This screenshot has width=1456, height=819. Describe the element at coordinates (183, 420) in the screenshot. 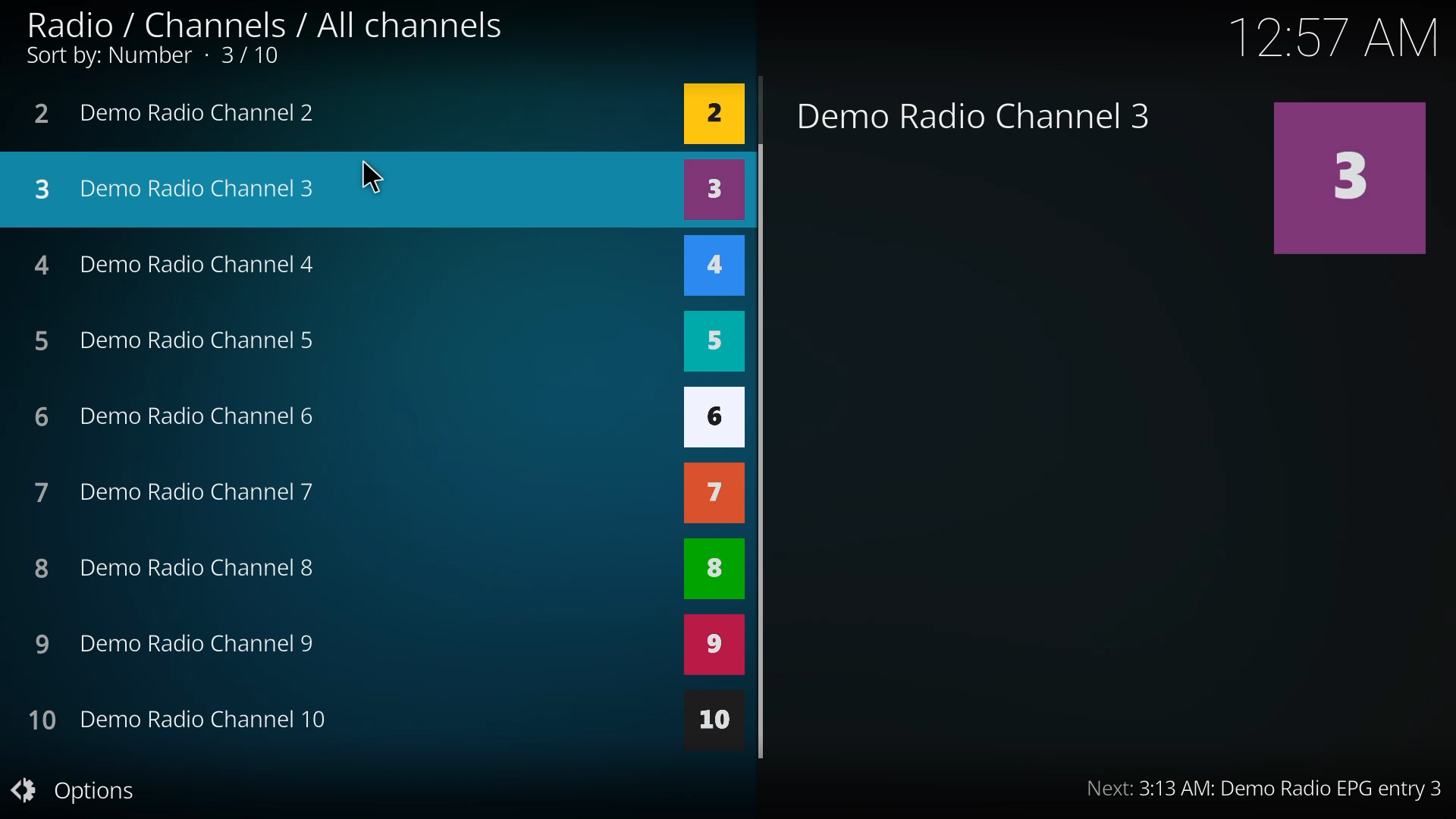

I see `6 Demo Radio Channel 6` at that location.